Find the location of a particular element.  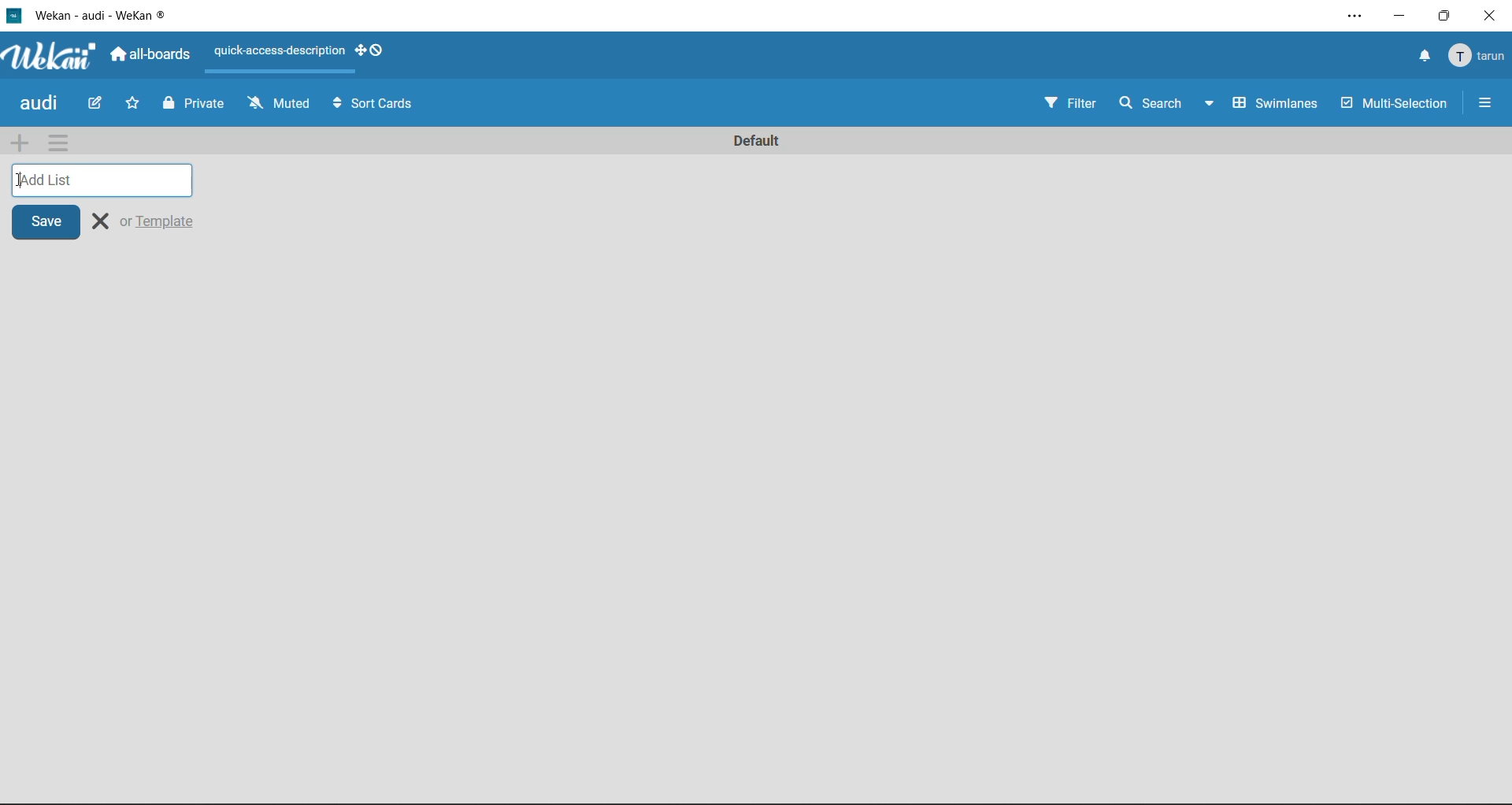

add list is located at coordinates (109, 181).